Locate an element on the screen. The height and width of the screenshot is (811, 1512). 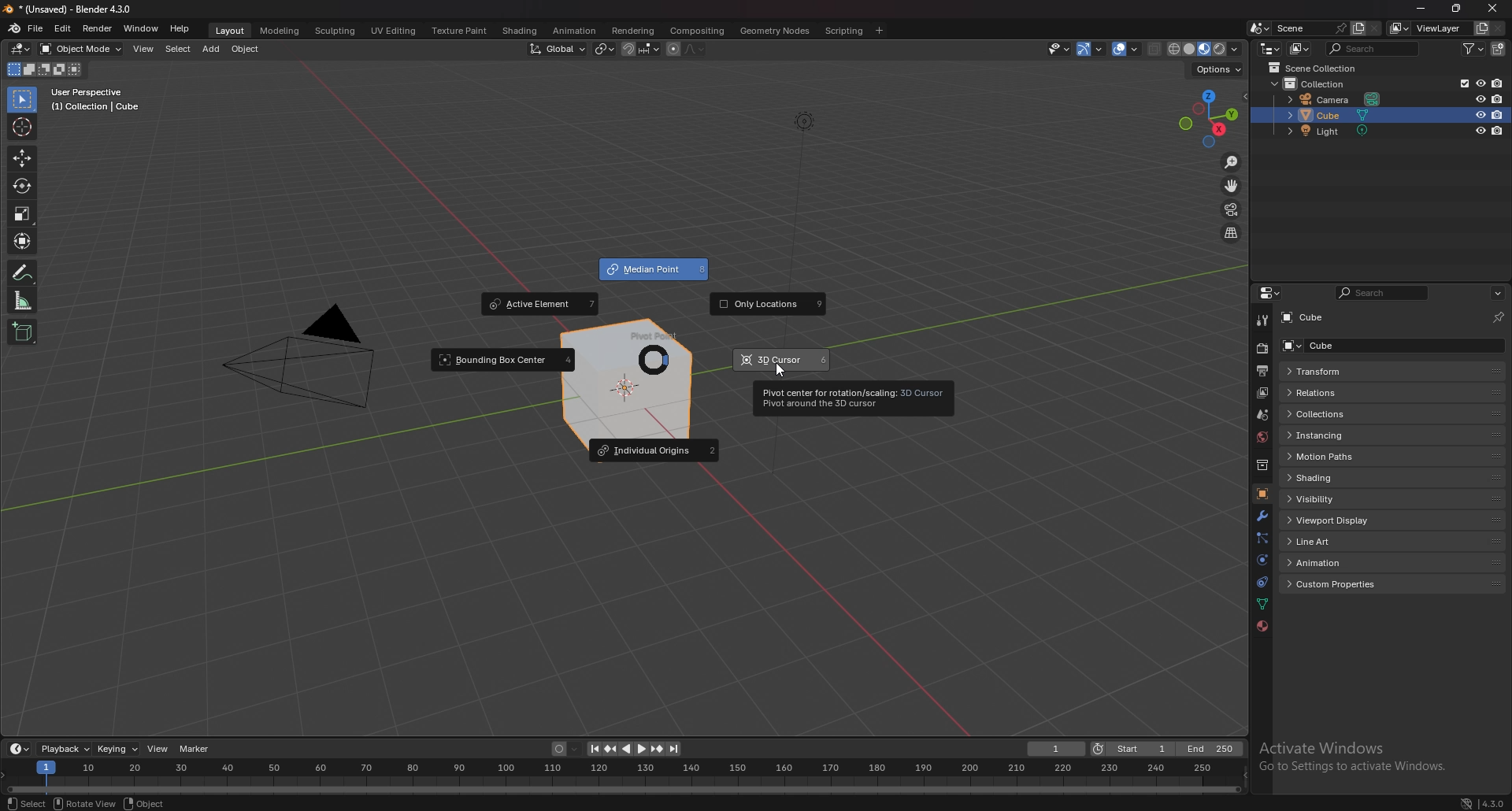
texture paint is located at coordinates (459, 31).